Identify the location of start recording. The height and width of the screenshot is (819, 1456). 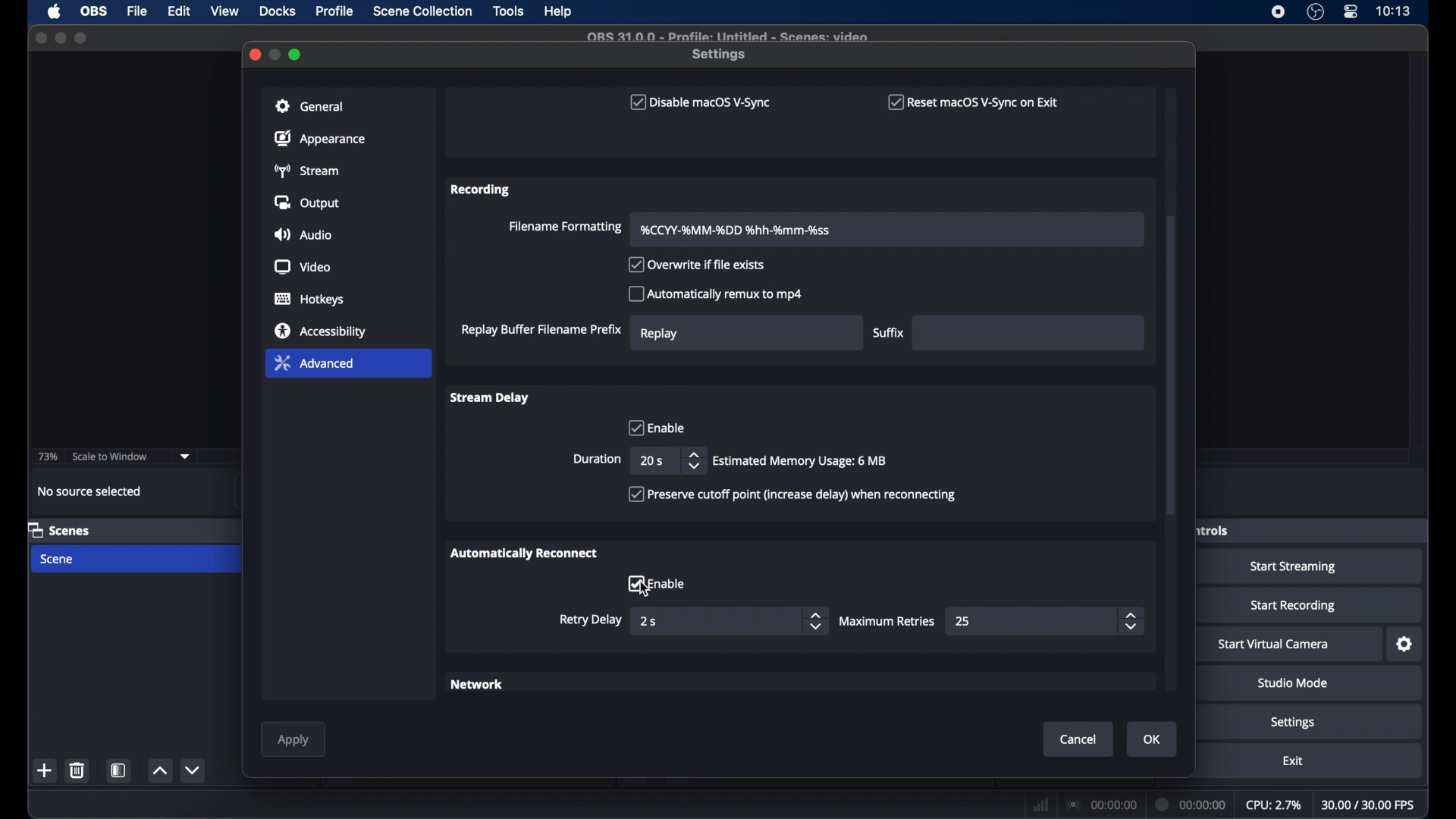
(1294, 606).